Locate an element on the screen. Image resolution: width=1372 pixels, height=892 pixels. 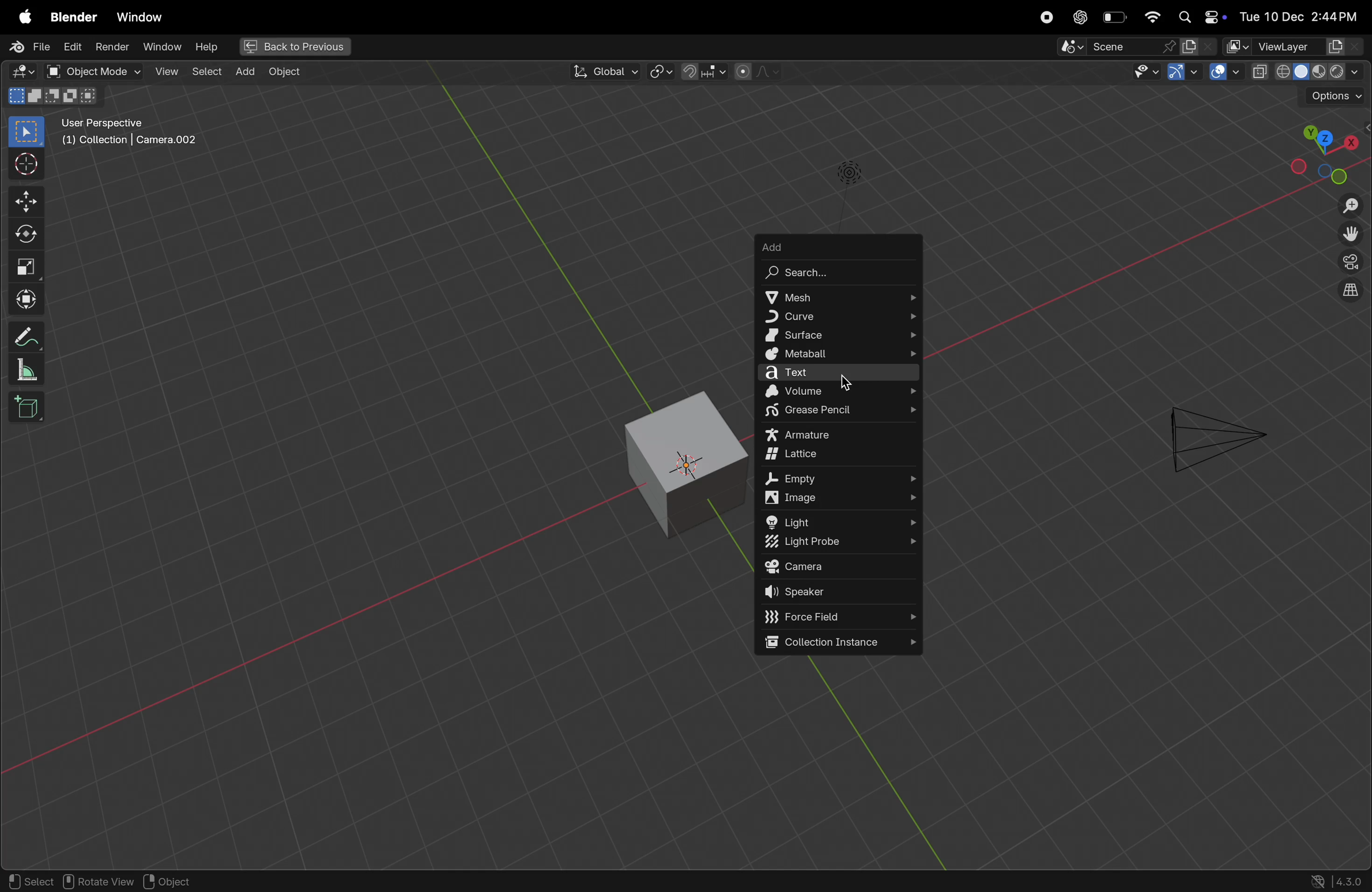
show gimzo is located at coordinates (1182, 74).